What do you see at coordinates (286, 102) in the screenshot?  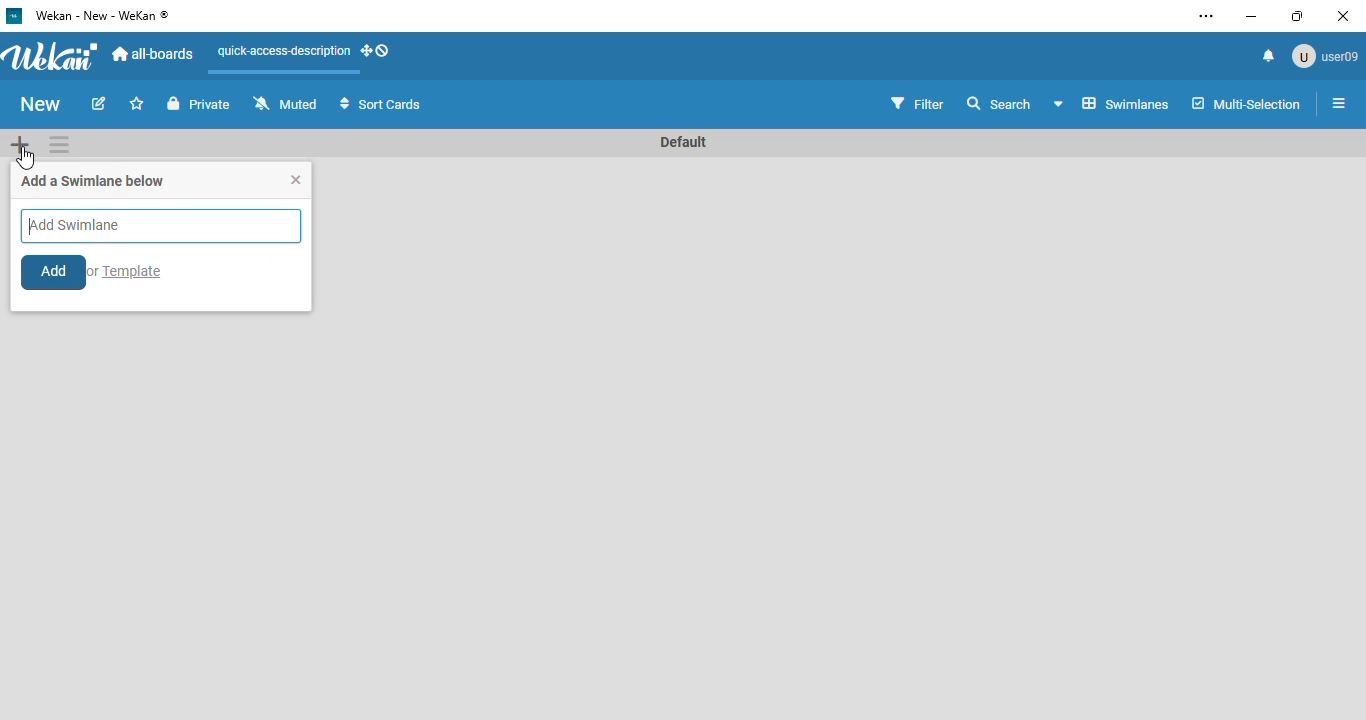 I see `muted` at bounding box center [286, 102].